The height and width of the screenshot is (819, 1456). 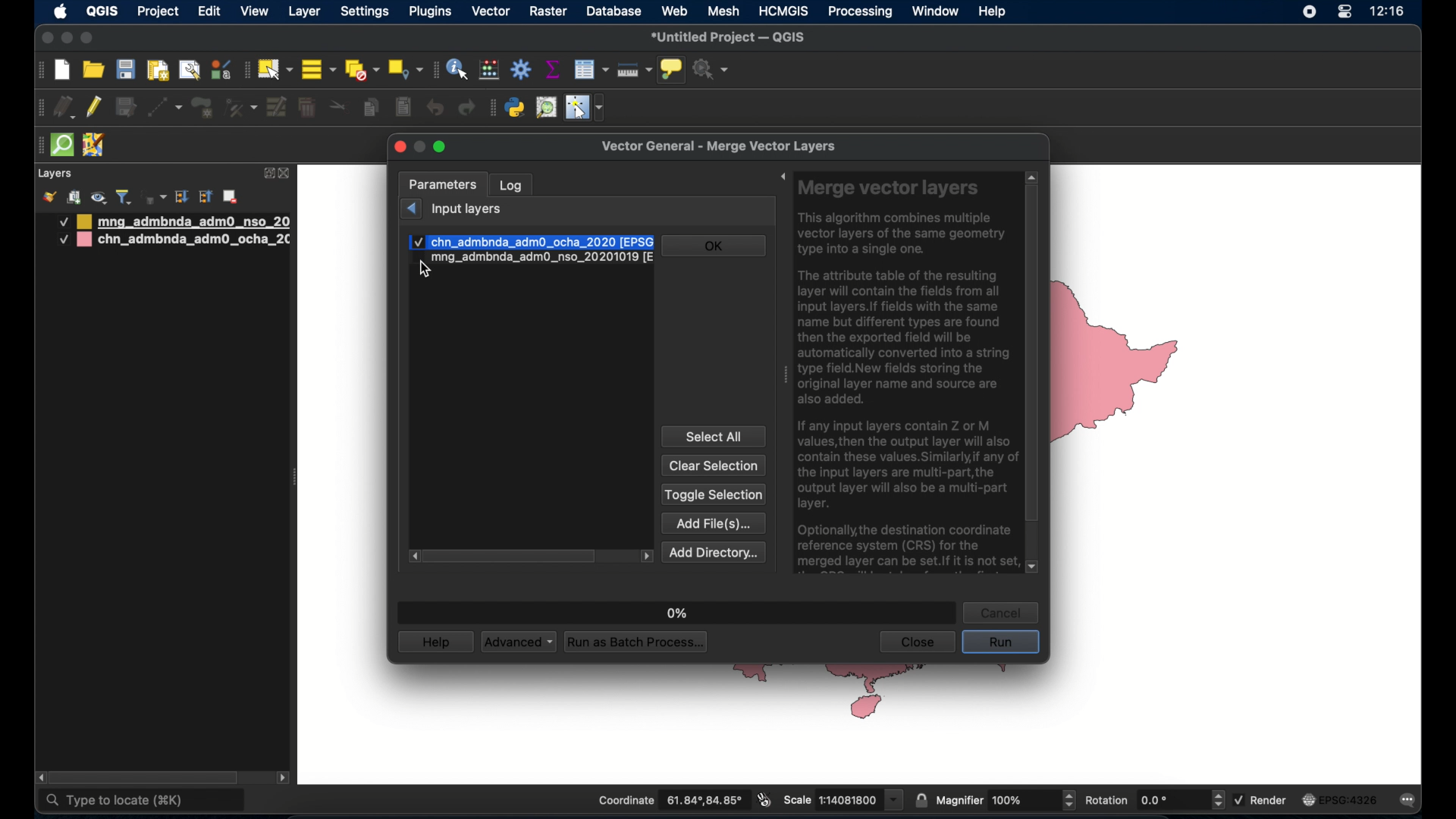 I want to click on quick som, so click(x=61, y=146).